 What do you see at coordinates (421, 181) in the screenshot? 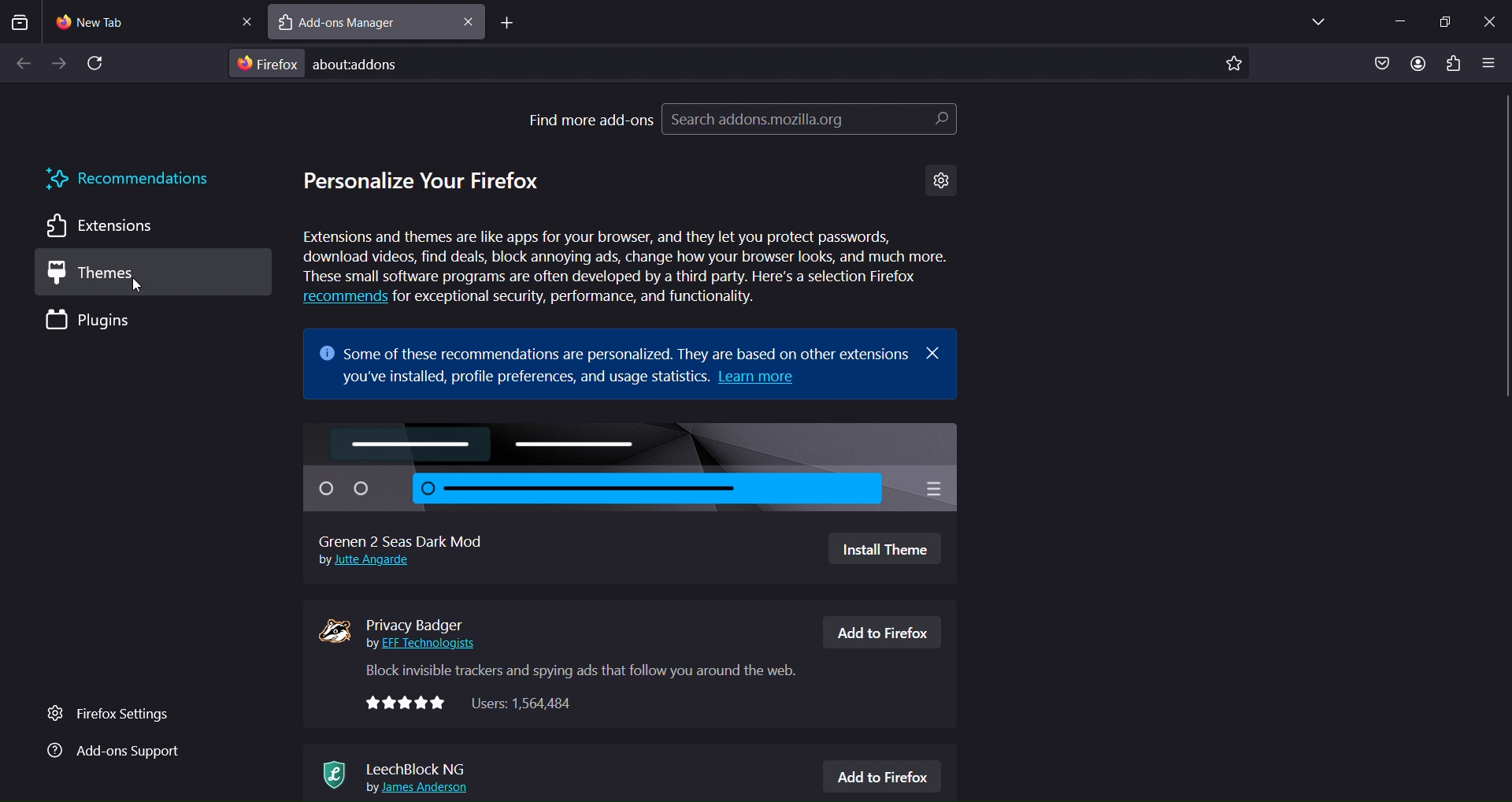
I see `personalize your firefox` at bounding box center [421, 181].